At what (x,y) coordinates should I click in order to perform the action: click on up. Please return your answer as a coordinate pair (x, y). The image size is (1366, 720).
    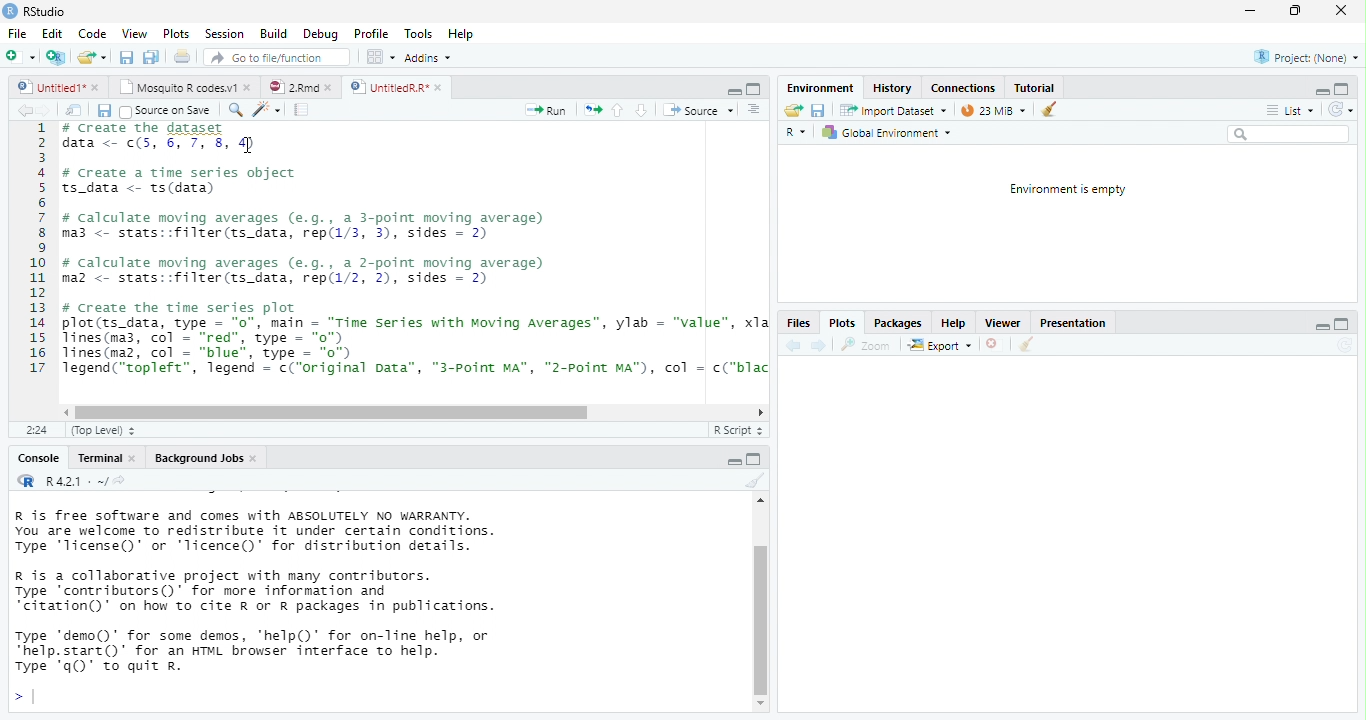
    Looking at the image, I should click on (618, 110).